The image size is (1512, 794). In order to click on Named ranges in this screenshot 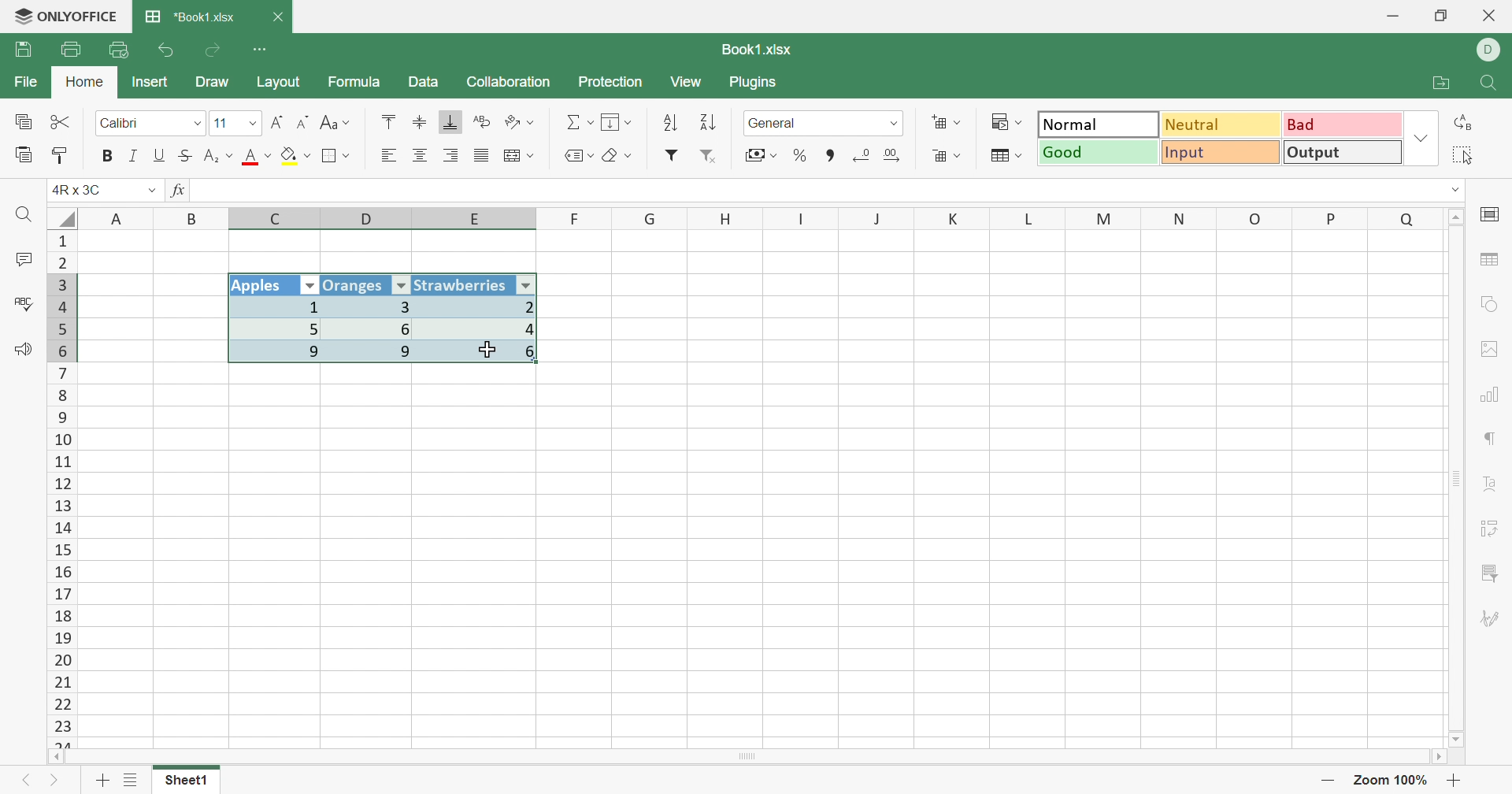, I will do `click(576, 155)`.